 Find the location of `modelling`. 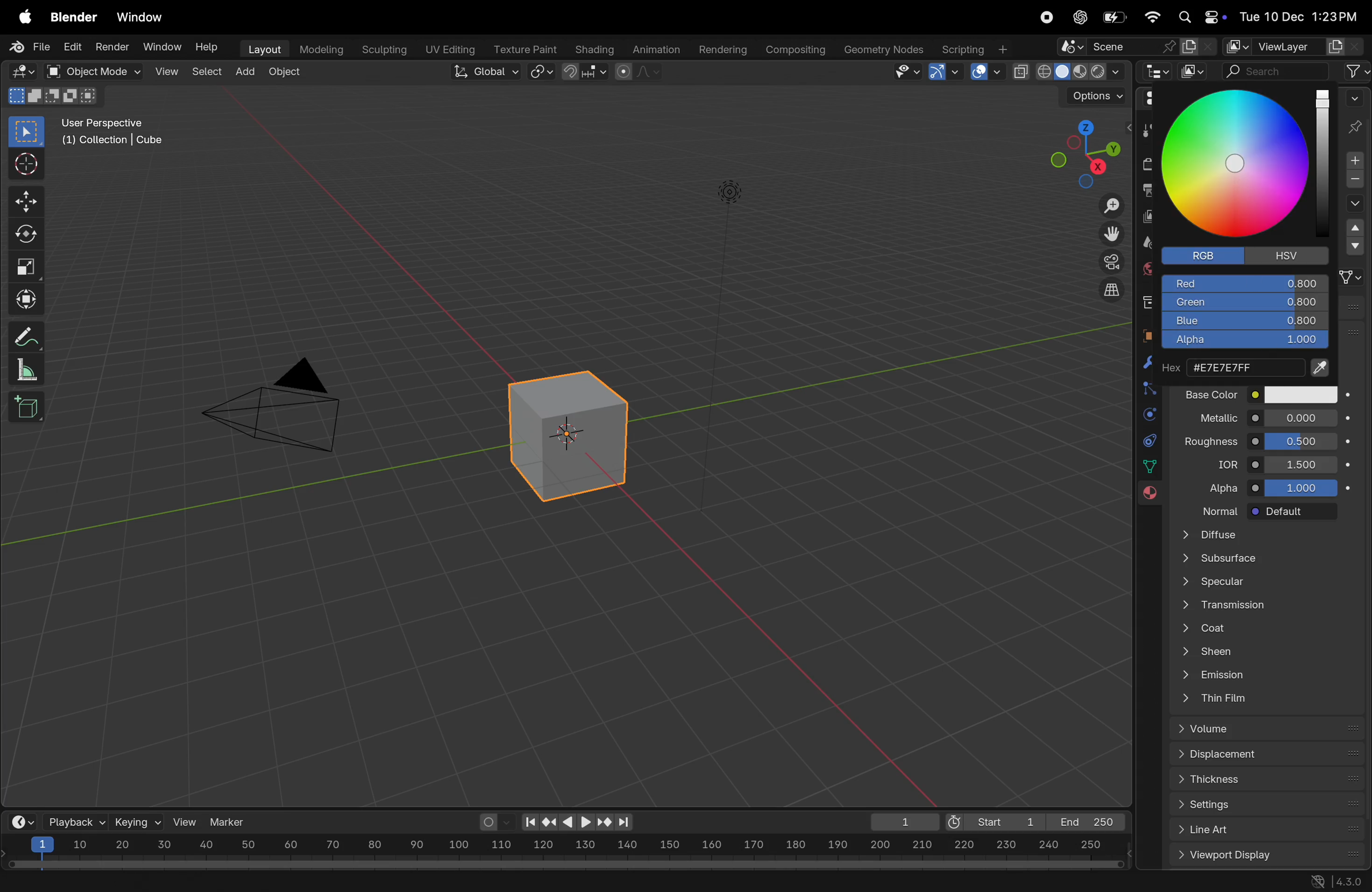

modelling is located at coordinates (320, 48).